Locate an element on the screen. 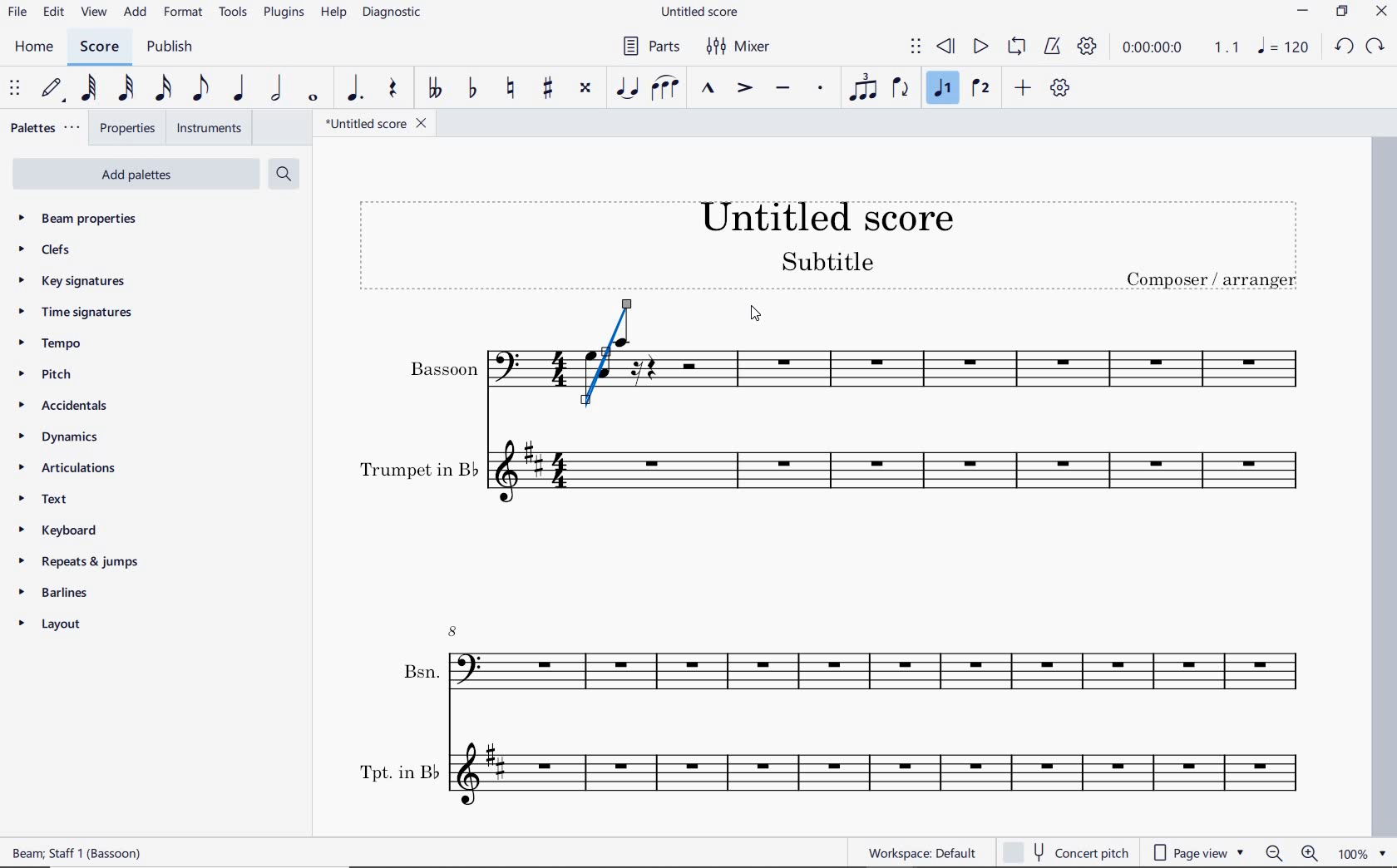 Image resolution: width=1397 pixels, height=868 pixels. playback settings is located at coordinates (1088, 46).